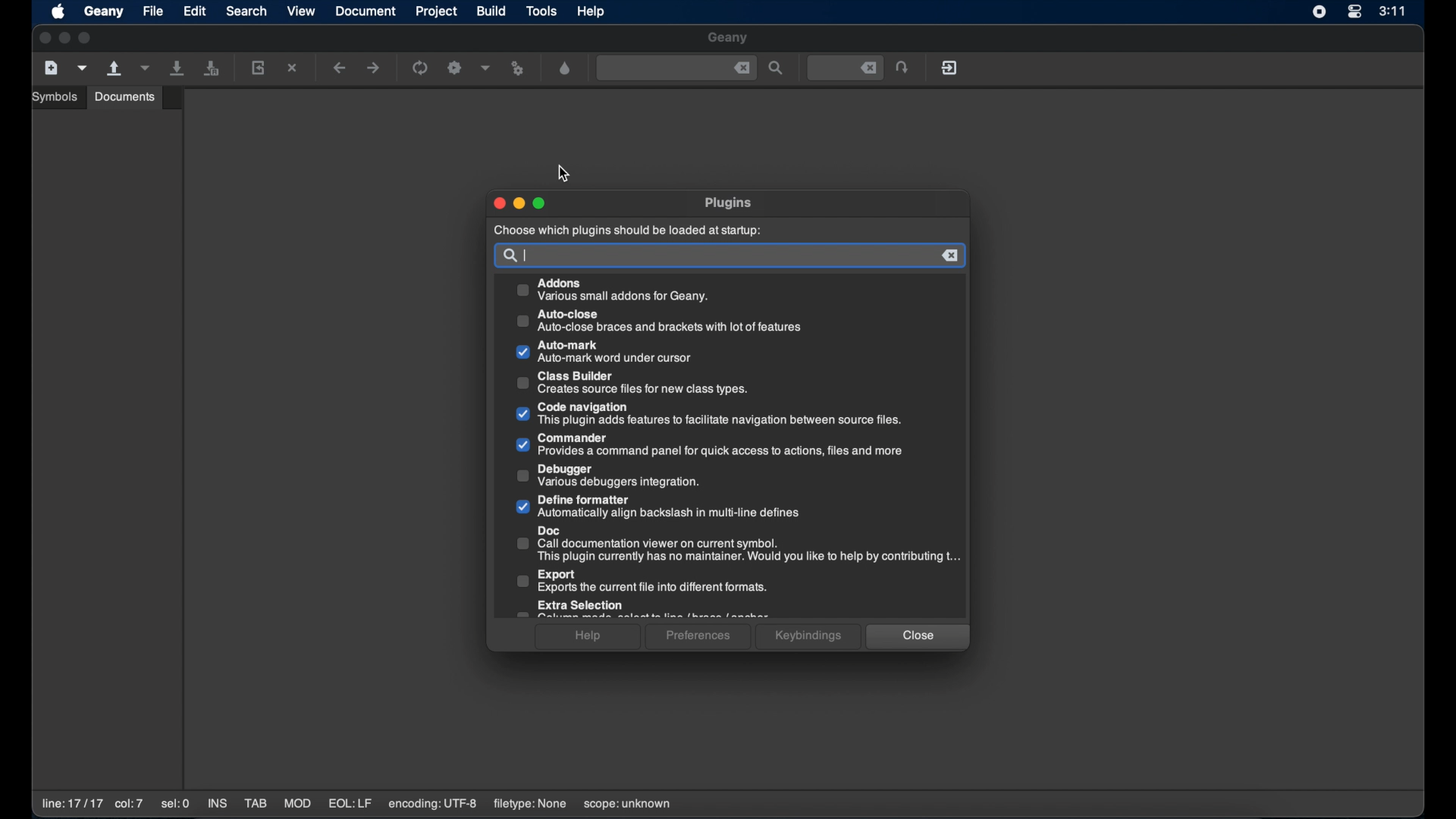 Image resolution: width=1456 pixels, height=819 pixels. Describe the element at coordinates (592, 11) in the screenshot. I see `help` at that location.